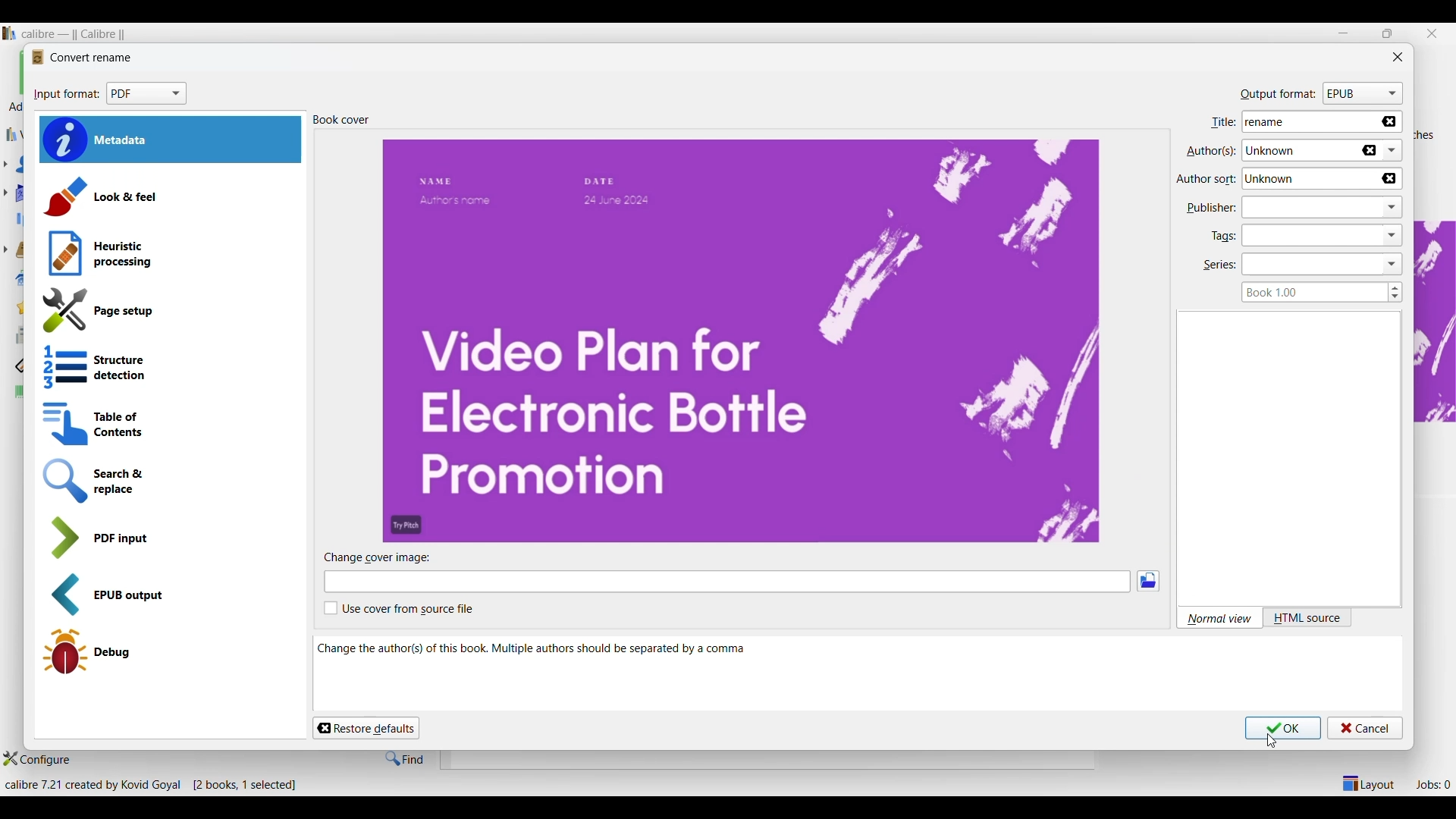 The height and width of the screenshot is (819, 1456). What do you see at coordinates (1389, 121) in the screenshot?
I see `Delete name` at bounding box center [1389, 121].